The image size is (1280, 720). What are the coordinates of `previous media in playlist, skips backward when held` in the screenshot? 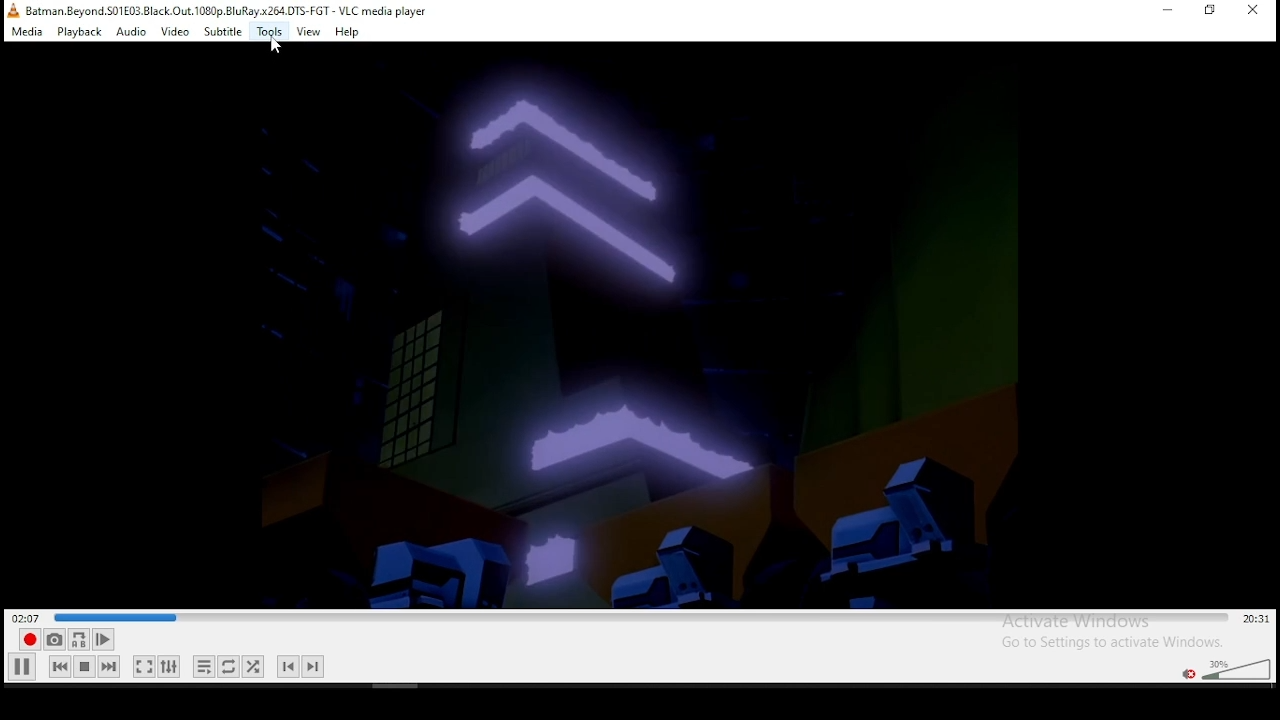 It's located at (60, 666).